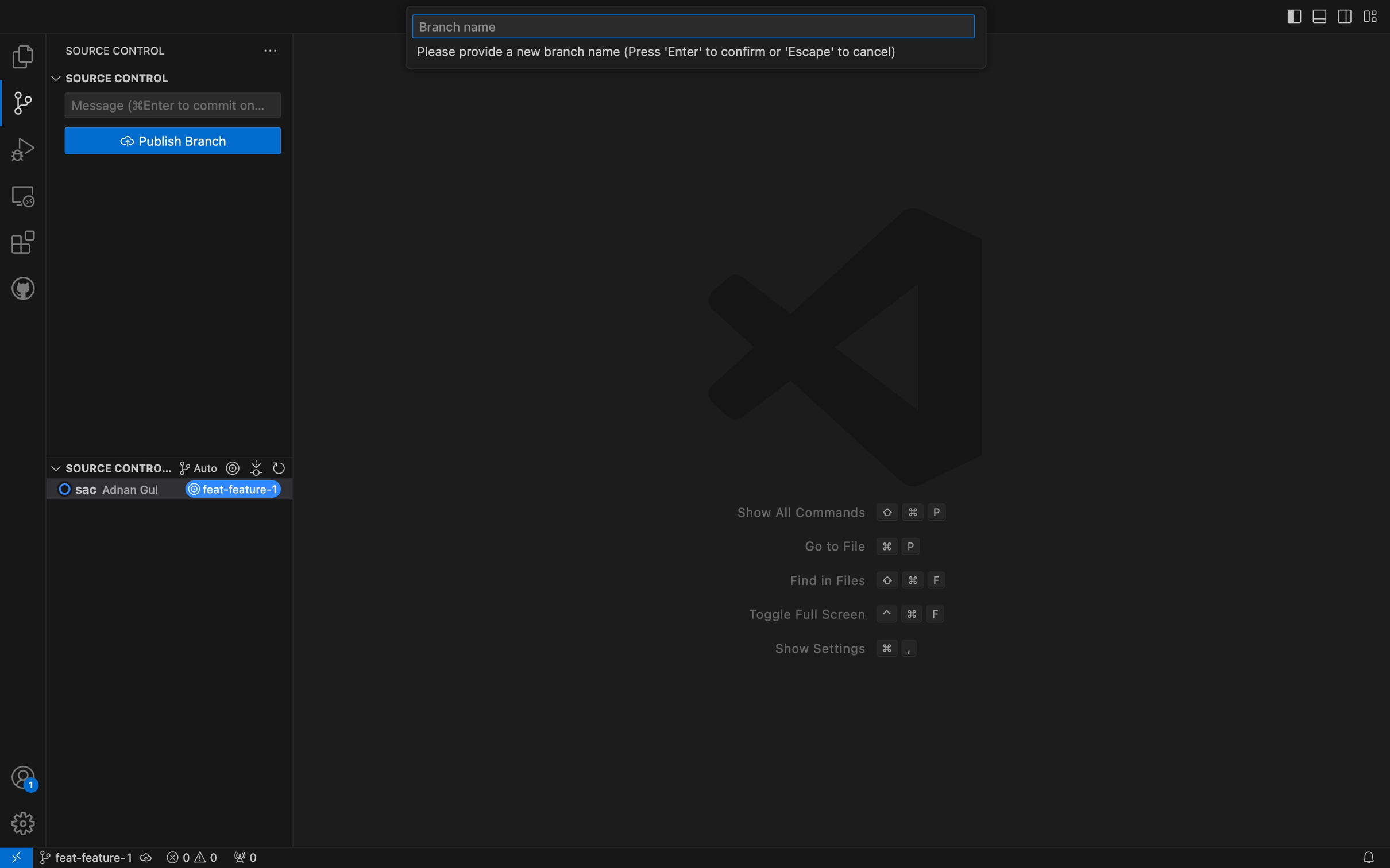 The height and width of the screenshot is (868, 1390). What do you see at coordinates (25, 777) in the screenshot?
I see `profile` at bounding box center [25, 777].